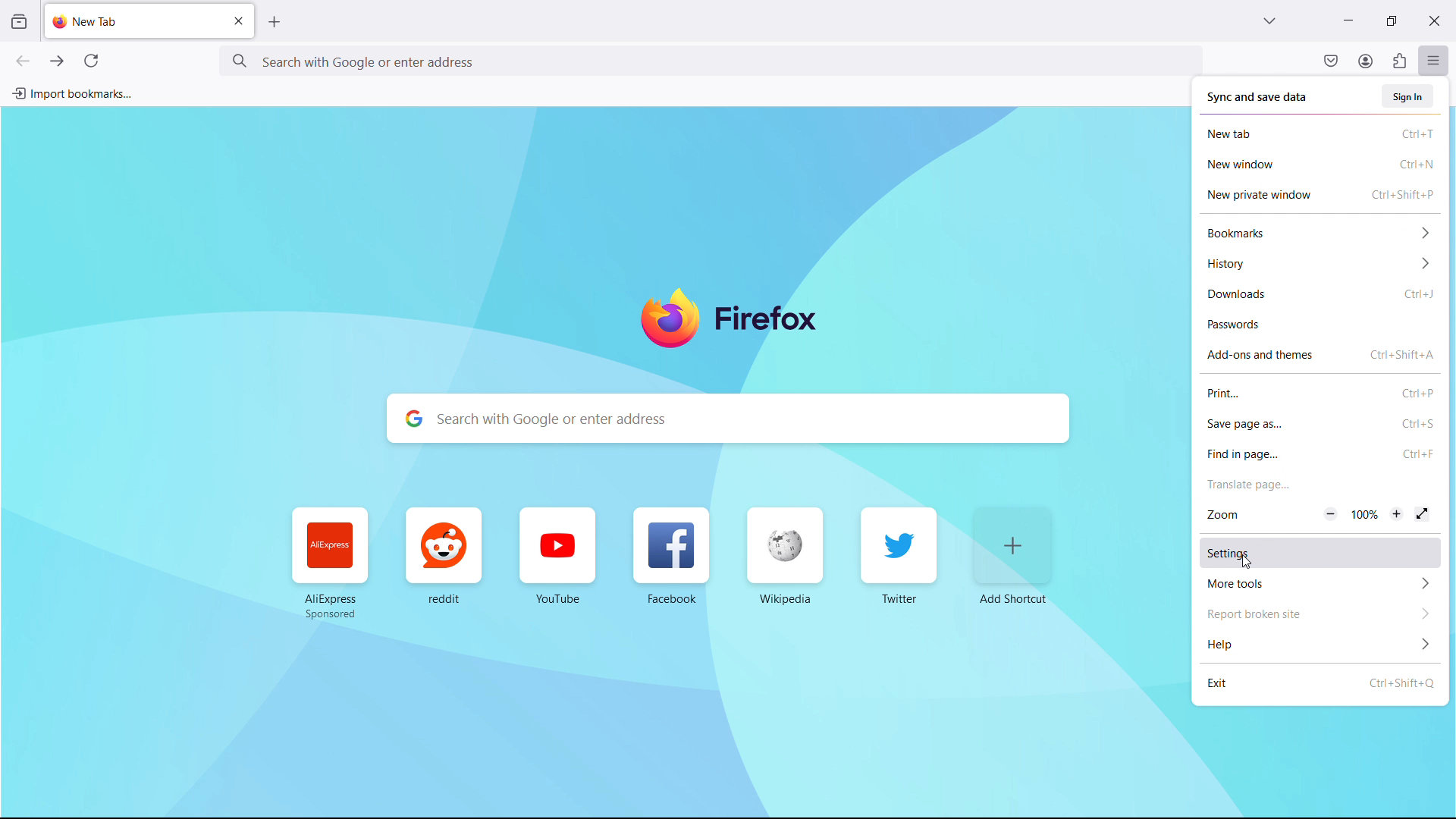 The height and width of the screenshot is (819, 1456). I want to click on translate page, so click(1319, 484).